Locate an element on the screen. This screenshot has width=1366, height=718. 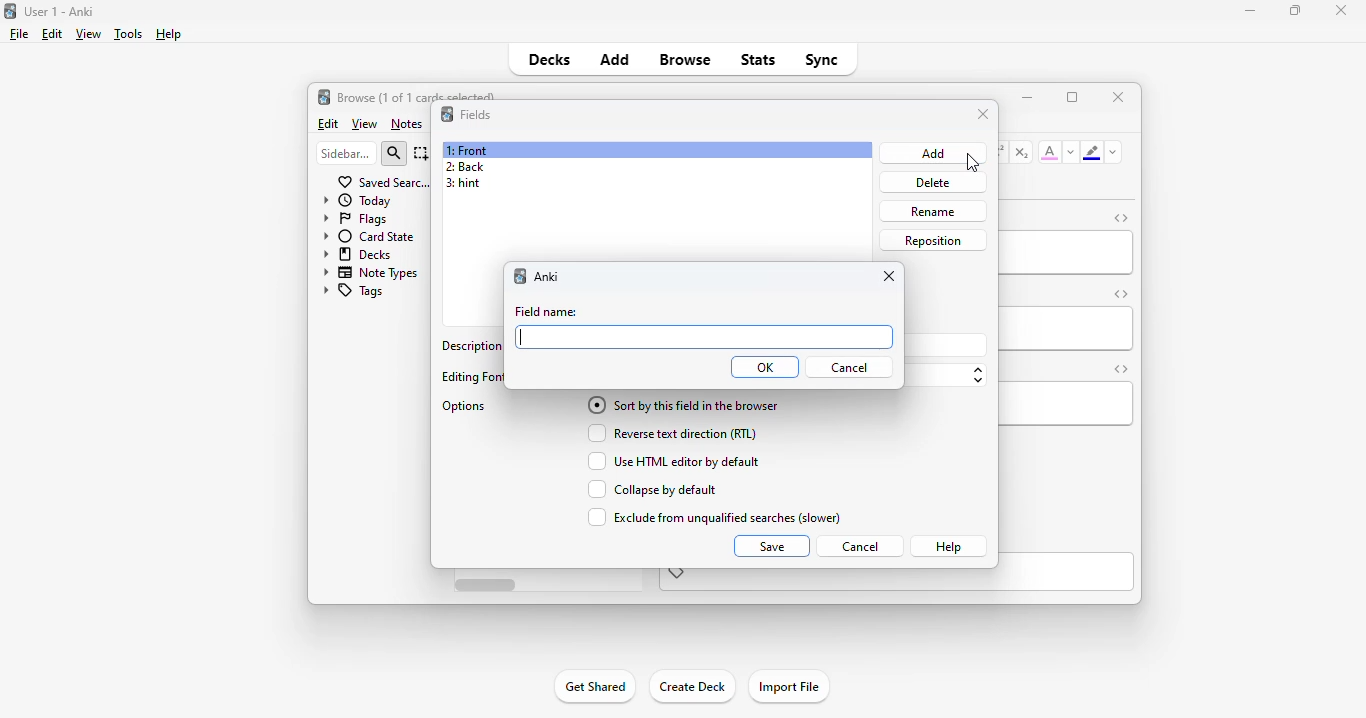
toggle HTML editor is located at coordinates (1121, 293).